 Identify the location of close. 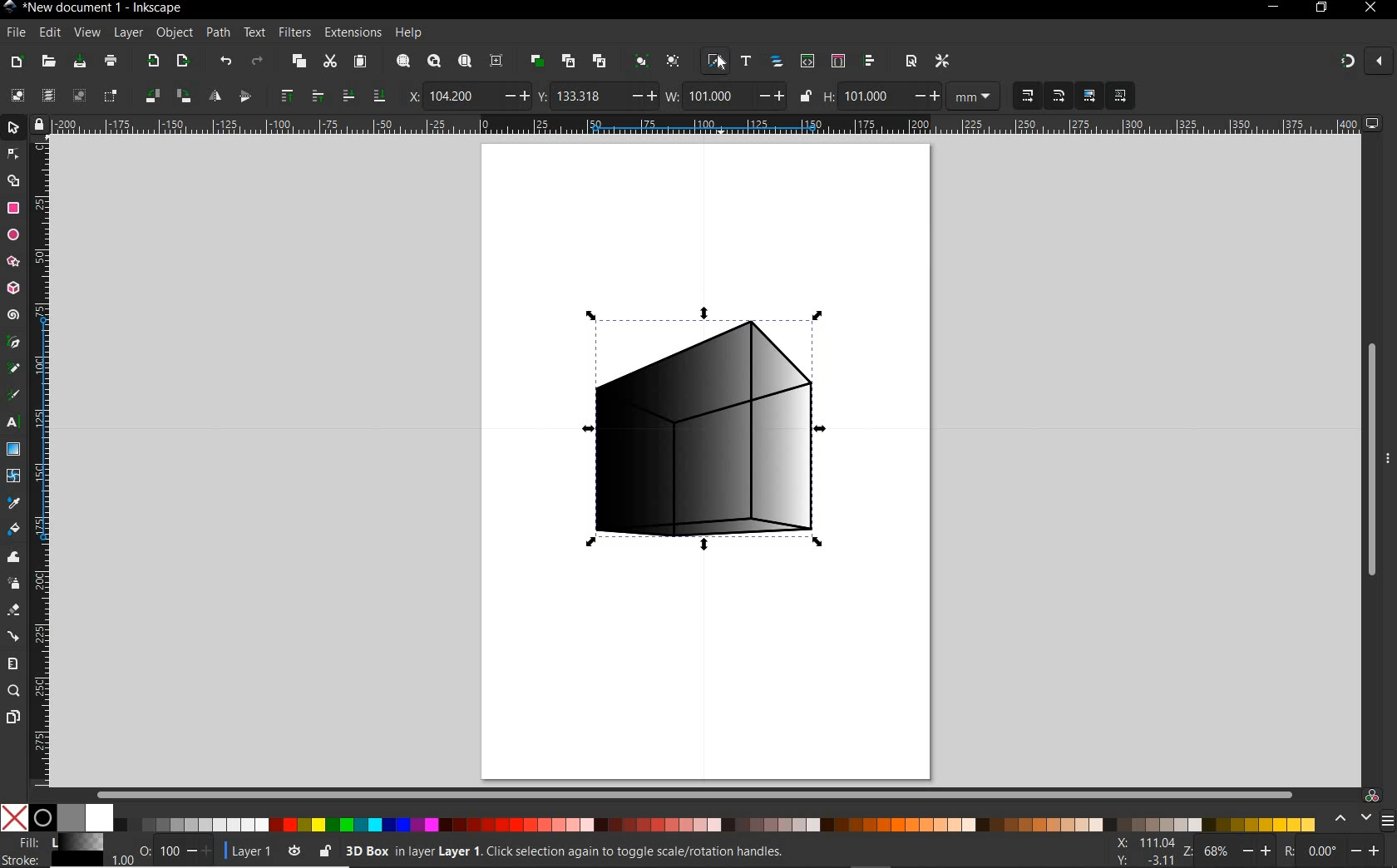
(1381, 62).